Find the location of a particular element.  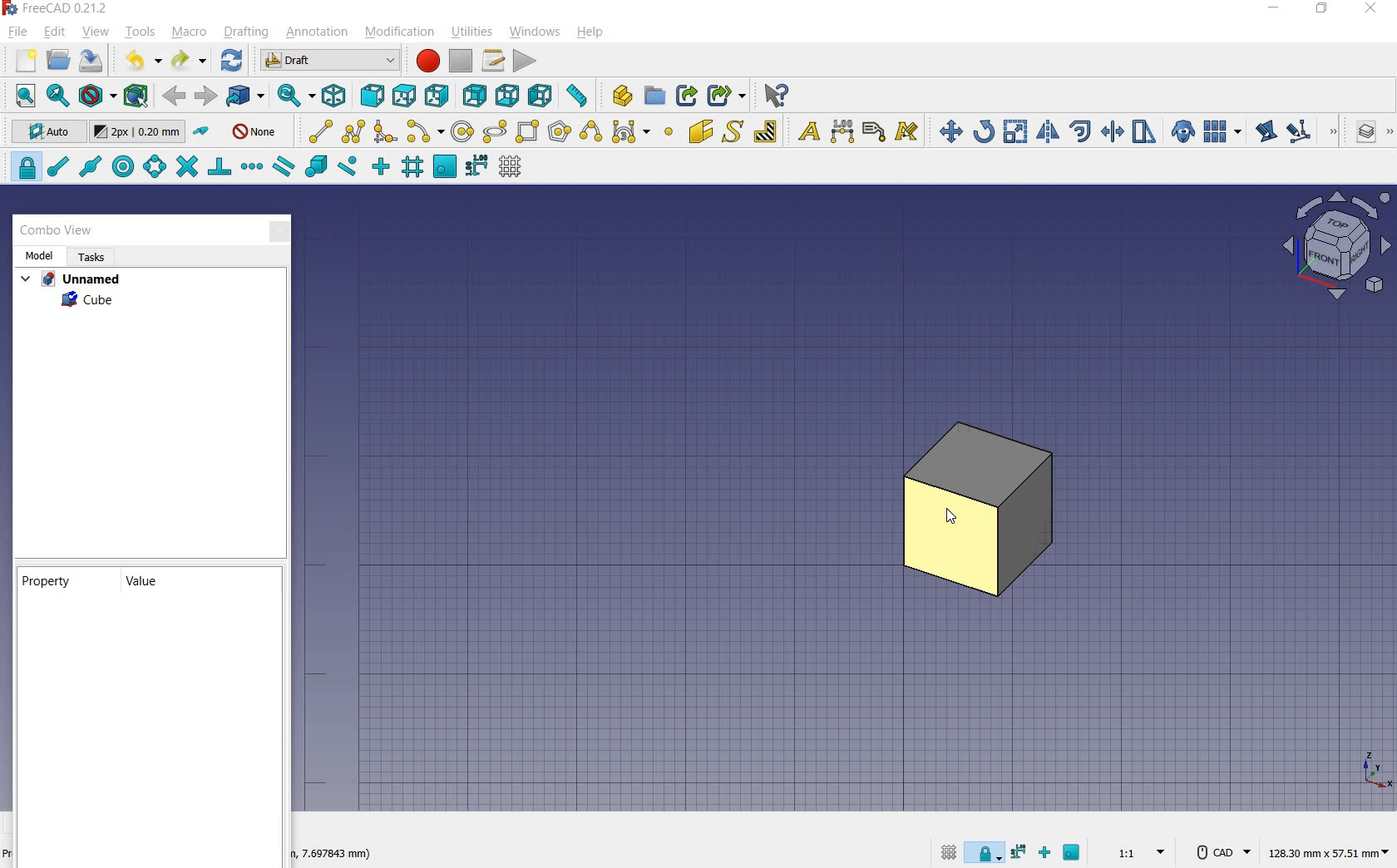

isometric is located at coordinates (334, 96).